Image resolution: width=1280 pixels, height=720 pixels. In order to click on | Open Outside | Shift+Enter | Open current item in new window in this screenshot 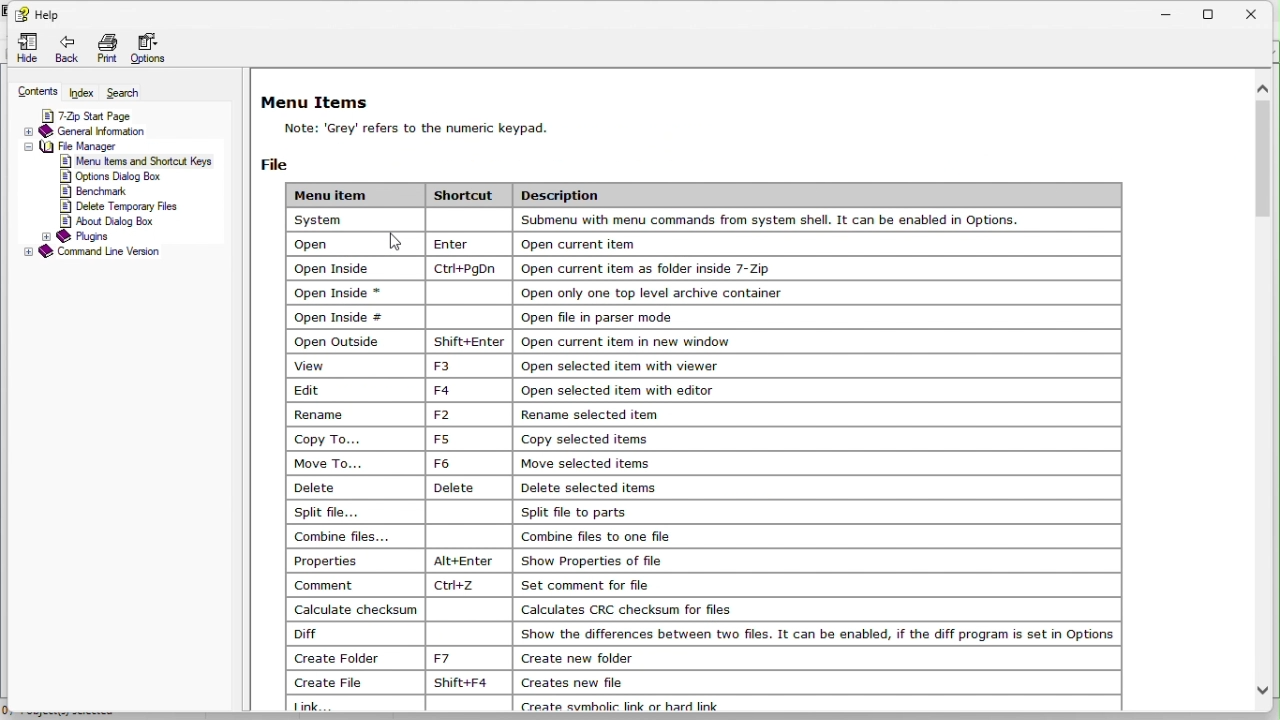, I will do `click(614, 340)`.